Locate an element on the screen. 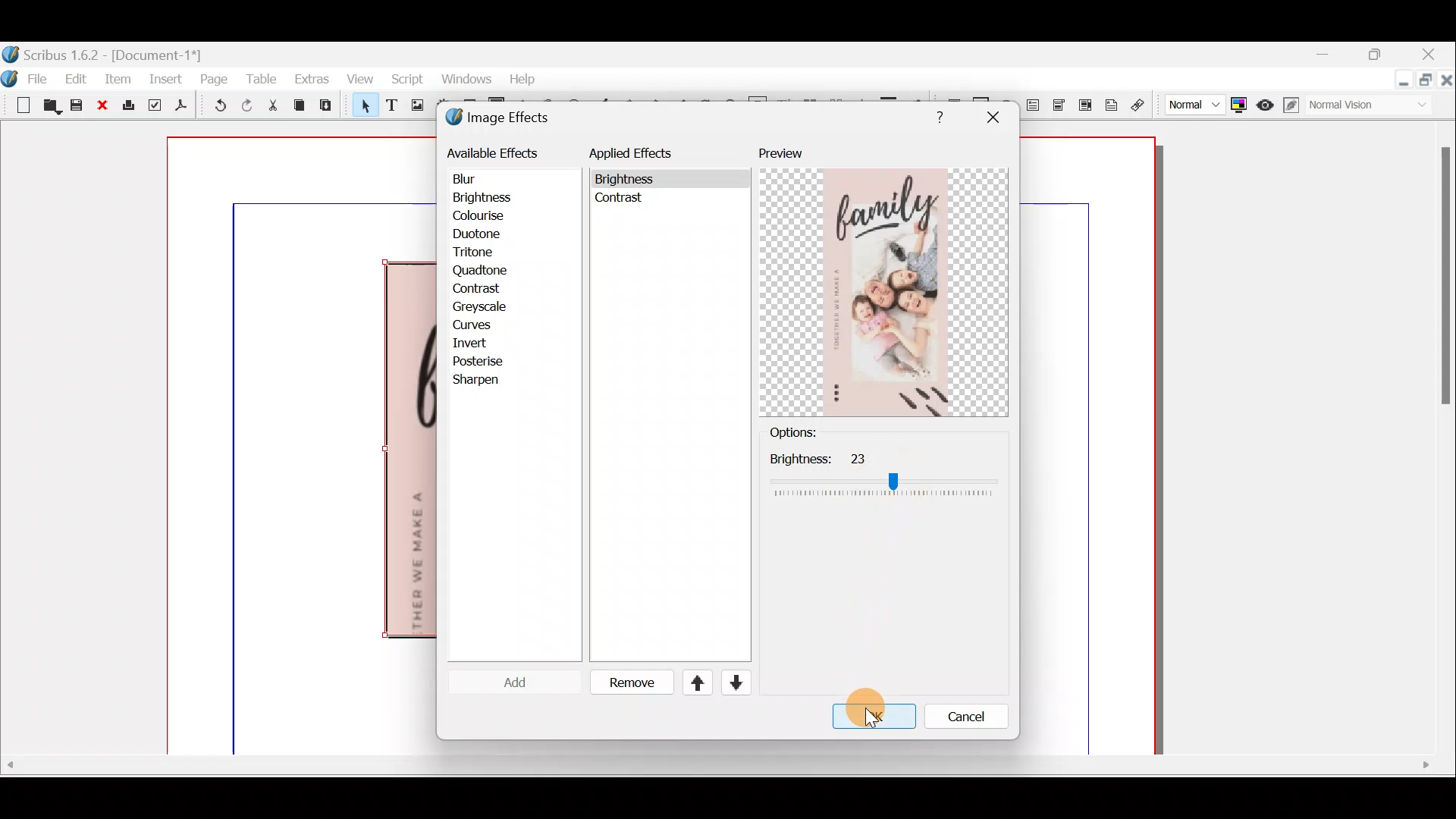 The width and height of the screenshot is (1456, 819). maximise is located at coordinates (1379, 57).